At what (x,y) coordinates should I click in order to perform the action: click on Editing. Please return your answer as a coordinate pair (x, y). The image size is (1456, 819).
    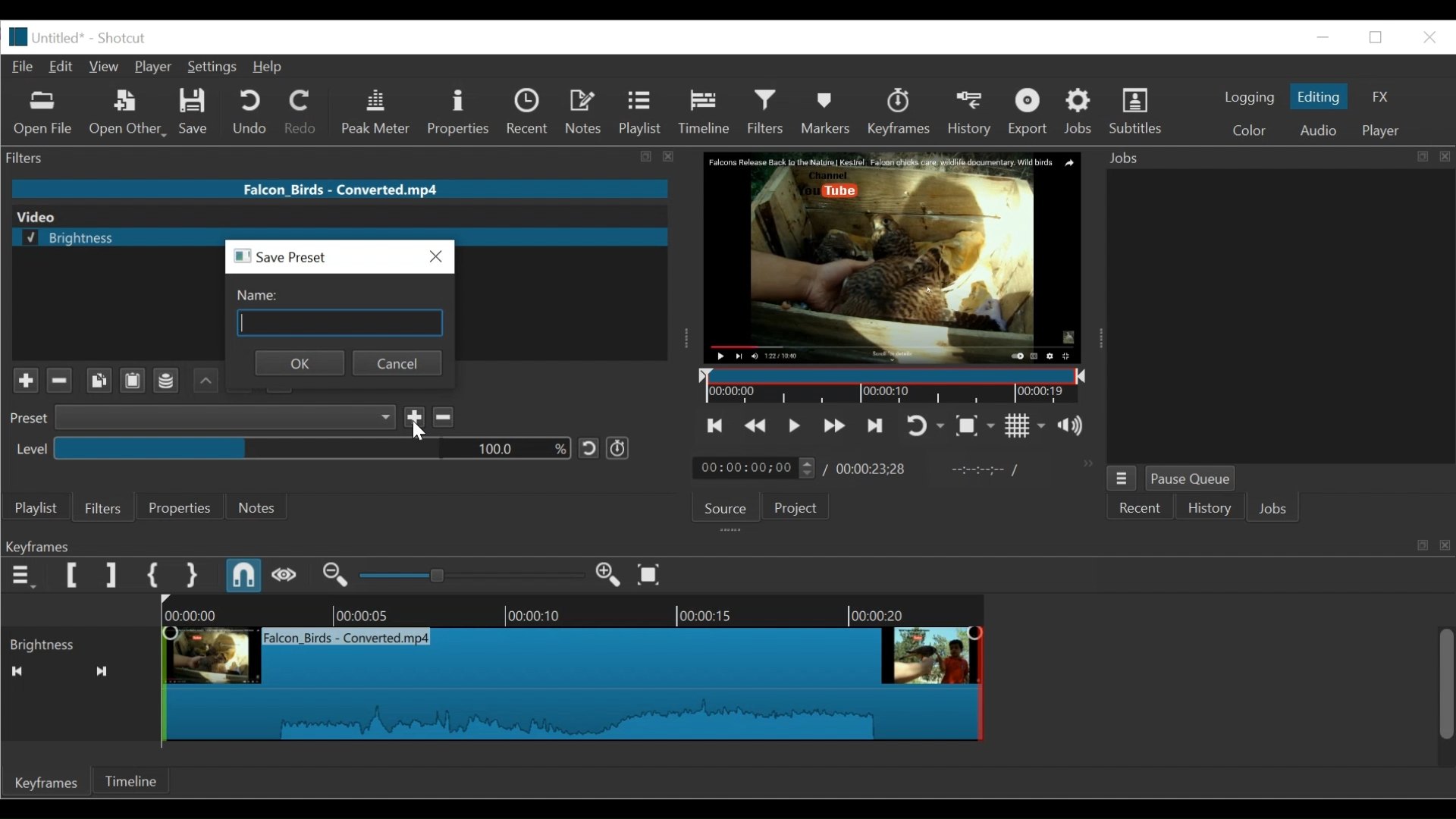
    Looking at the image, I should click on (1320, 96).